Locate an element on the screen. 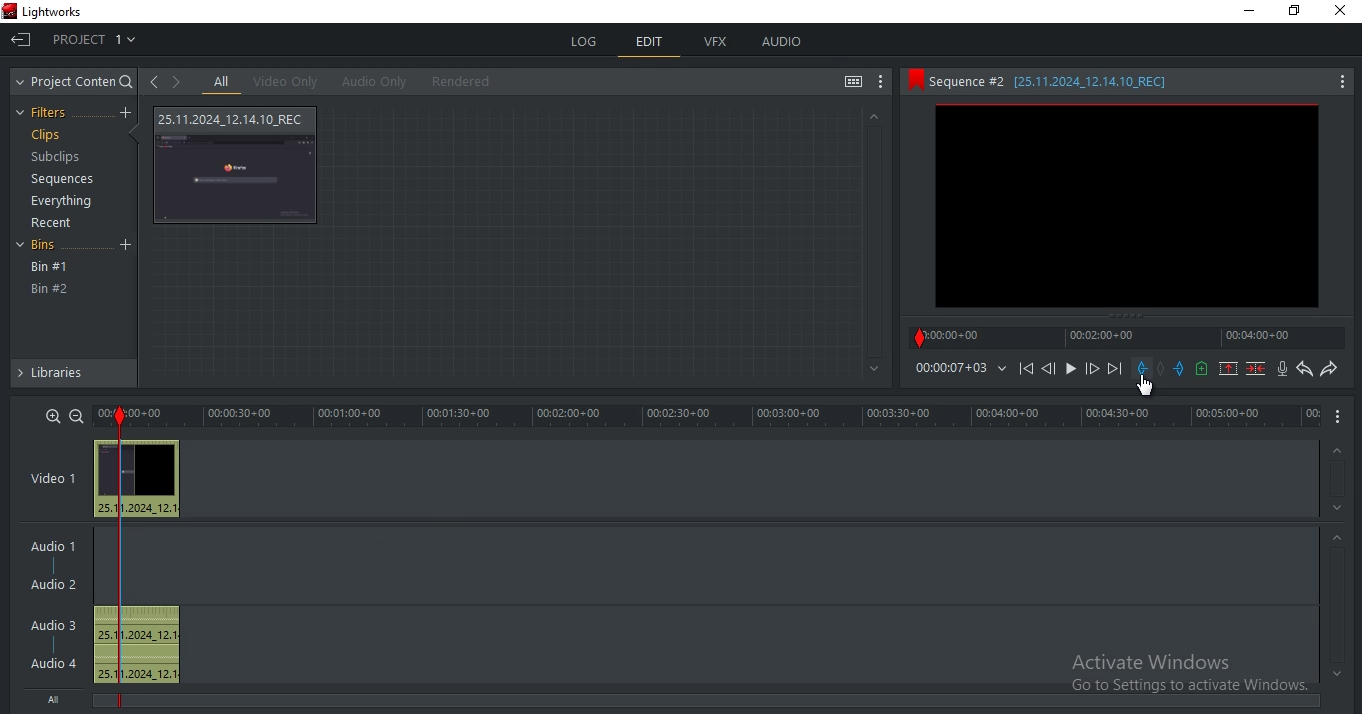 Image resolution: width=1362 pixels, height=714 pixels. log is located at coordinates (586, 42).